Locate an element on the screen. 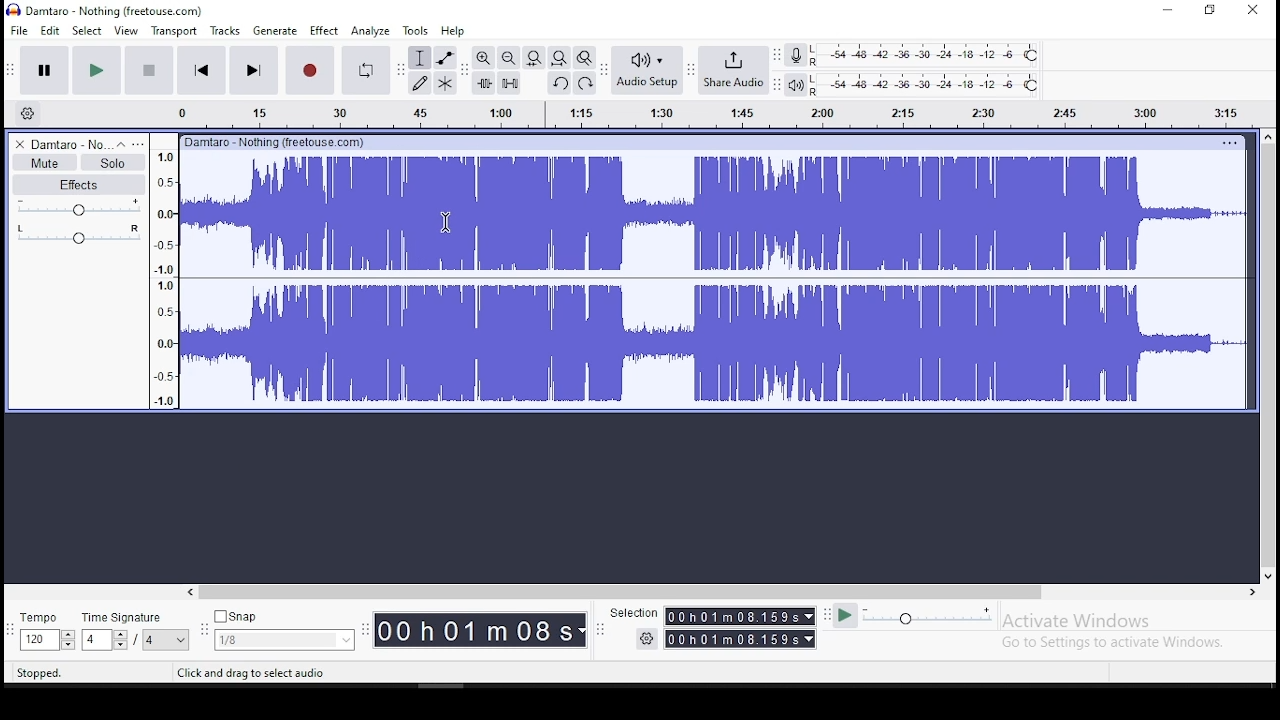   is located at coordinates (463, 68).